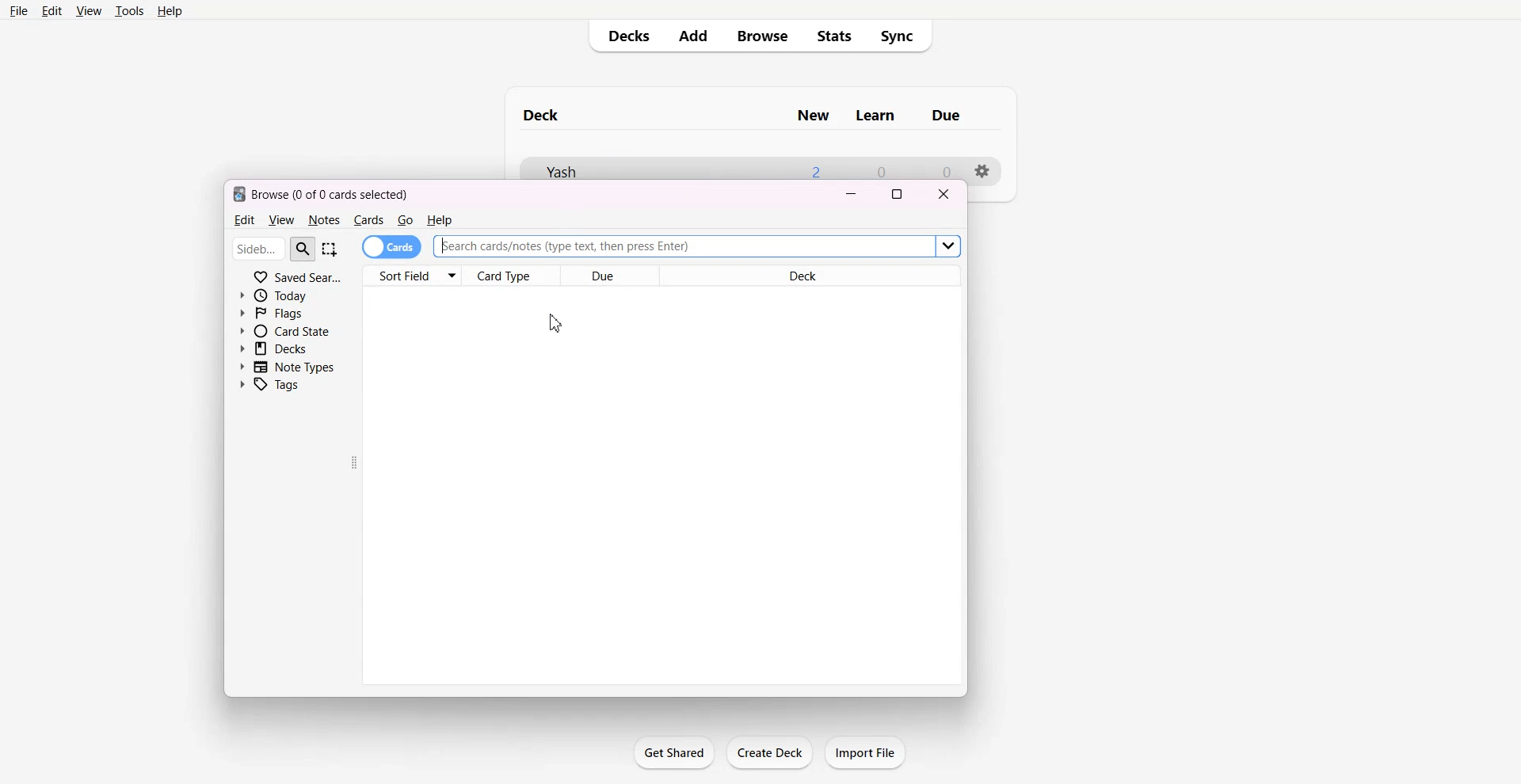 This screenshot has width=1521, height=784. Describe the element at coordinates (587, 167) in the screenshot. I see `yash` at that location.